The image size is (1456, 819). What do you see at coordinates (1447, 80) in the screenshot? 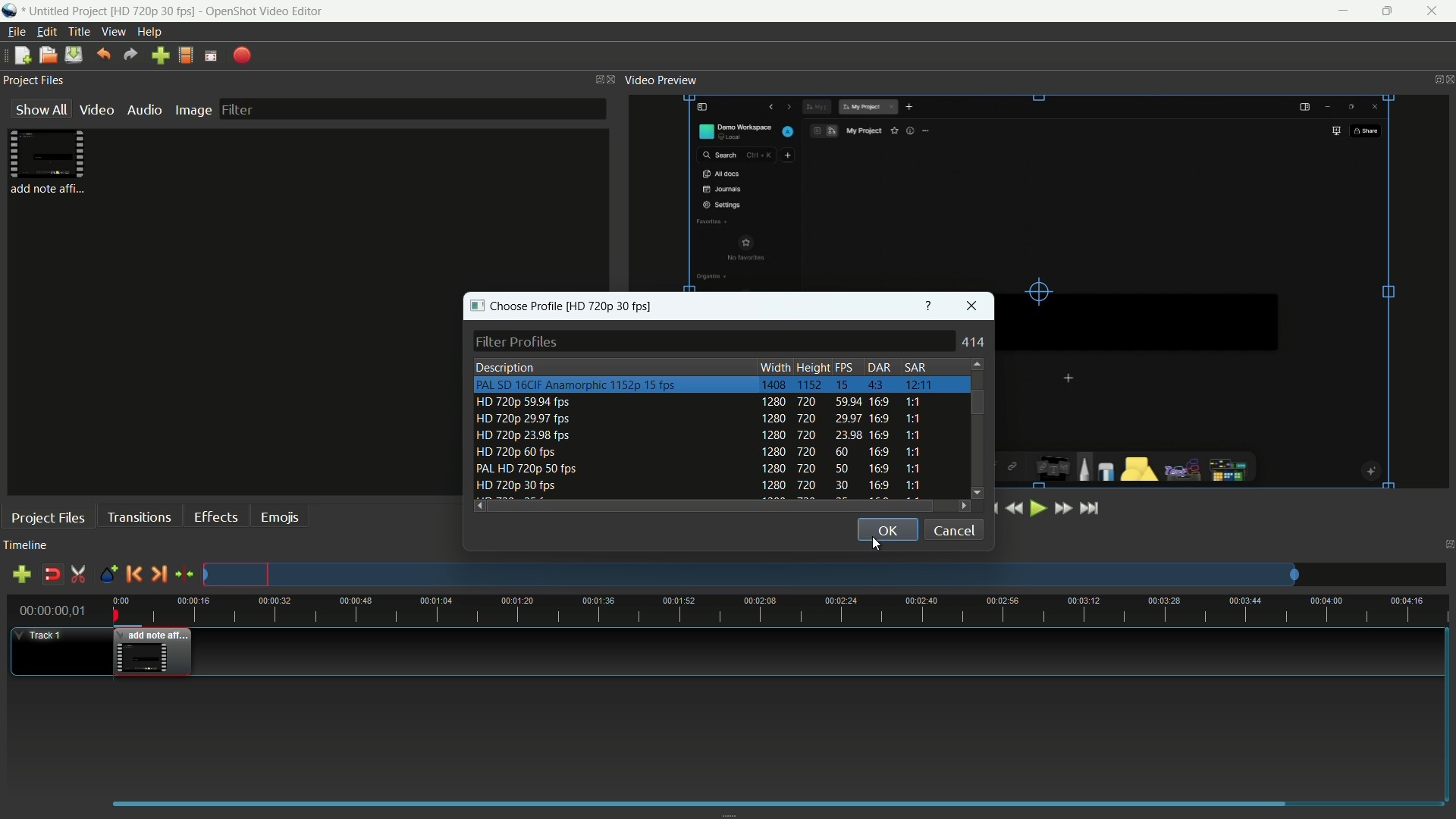
I see `close preview video` at bounding box center [1447, 80].